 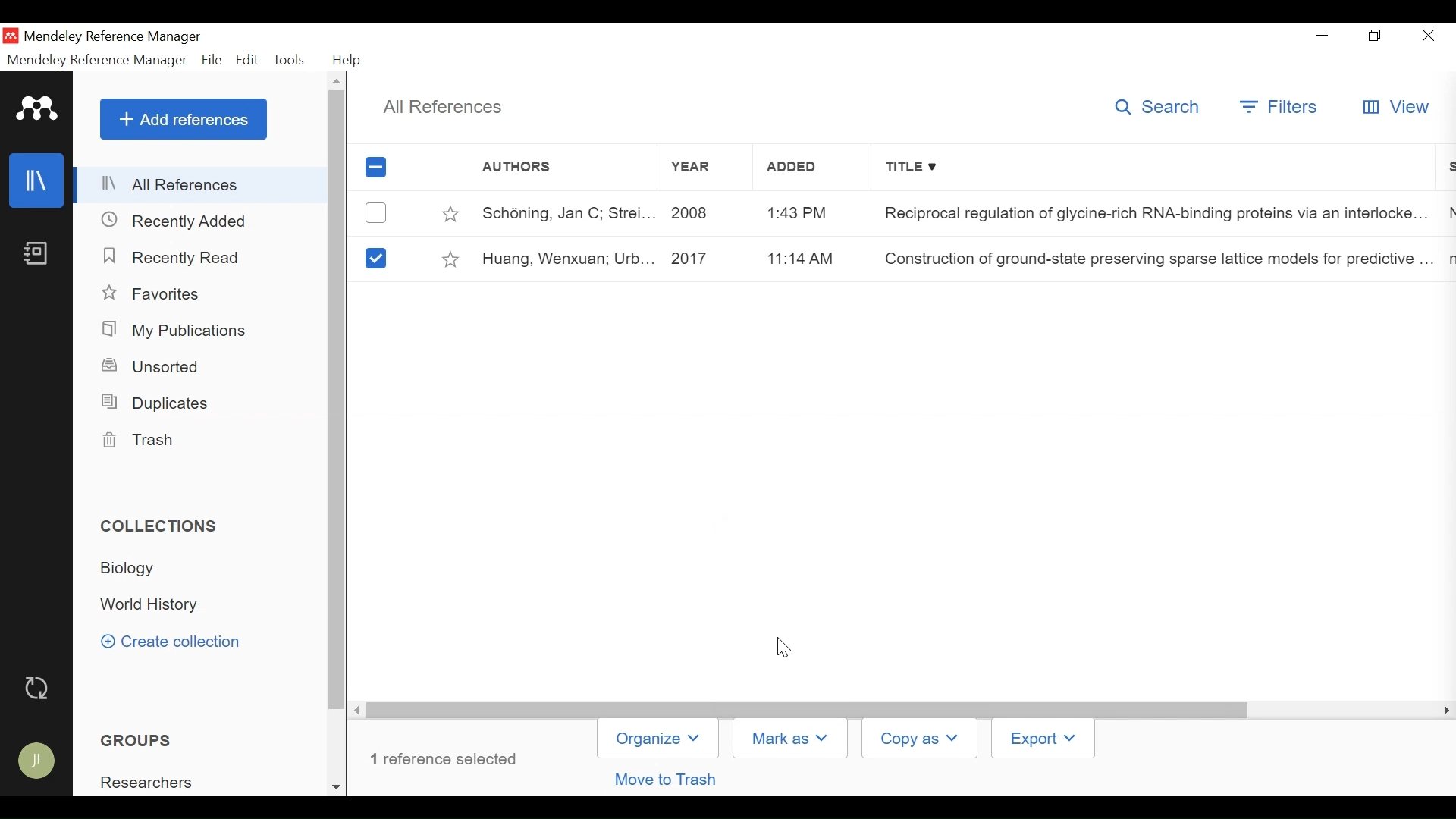 I want to click on Create Collection, so click(x=178, y=642).